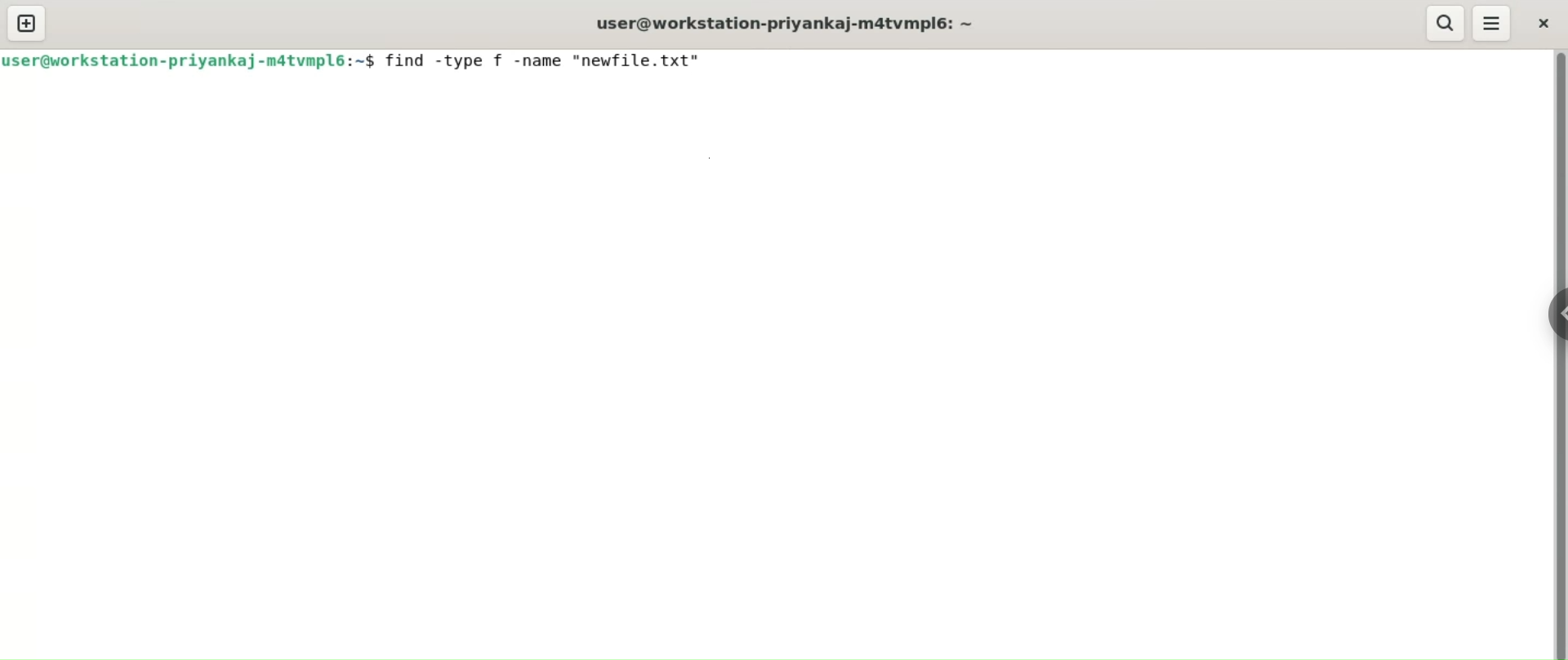 This screenshot has width=1568, height=660. What do you see at coordinates (1491, 23) in the screenshot?
I see `menu` at bounding box center [1491, 23].